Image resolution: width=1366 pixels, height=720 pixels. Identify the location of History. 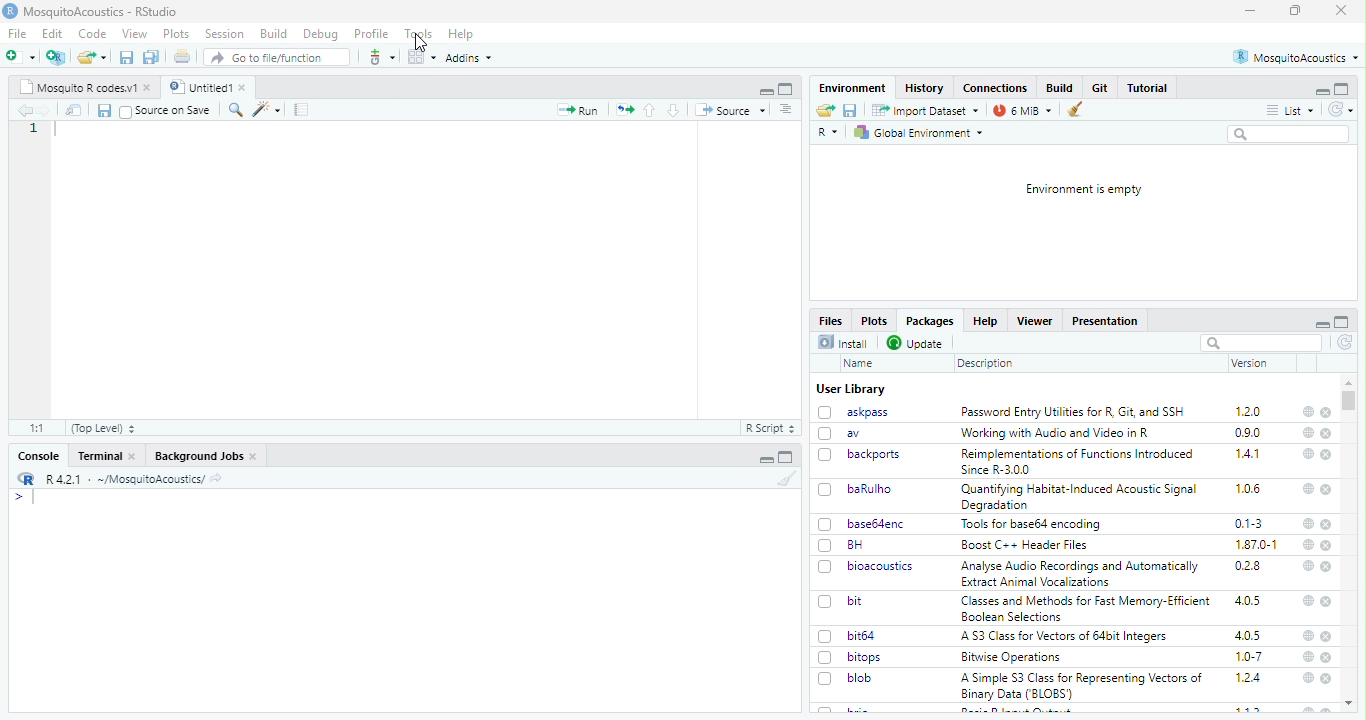
(925, 89).